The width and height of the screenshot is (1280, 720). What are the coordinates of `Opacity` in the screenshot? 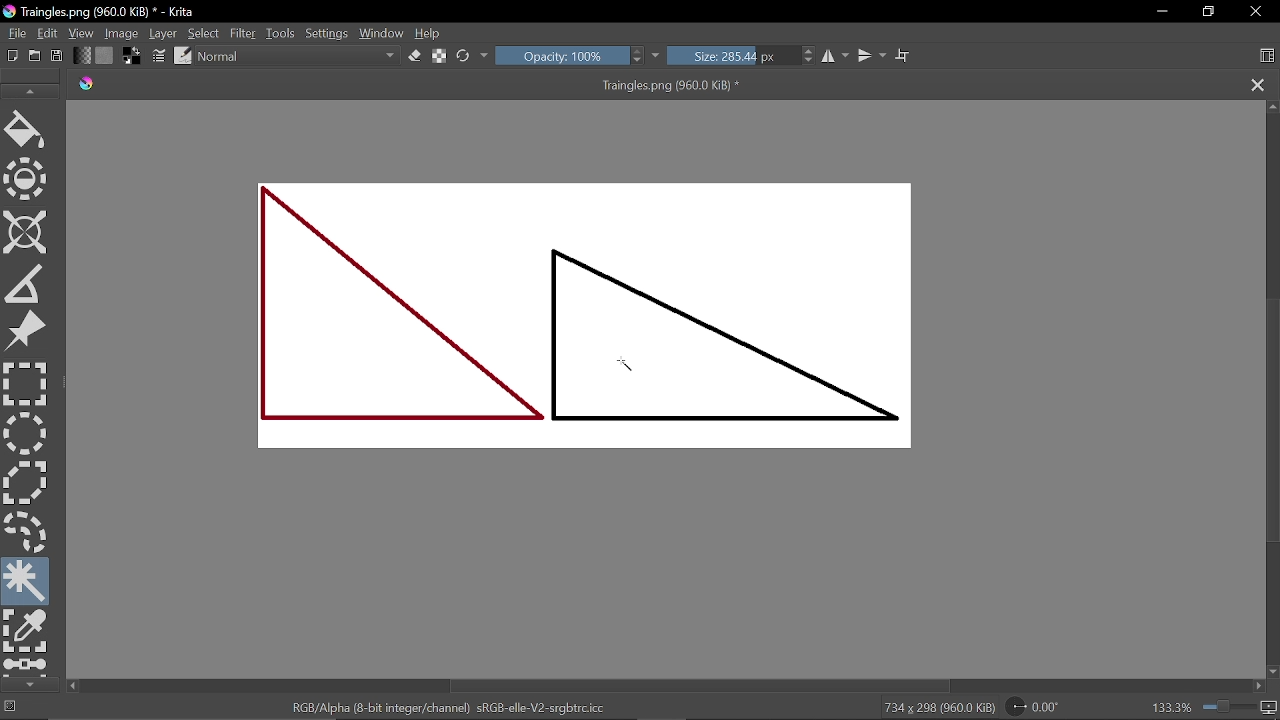 It's located at (560, 55).